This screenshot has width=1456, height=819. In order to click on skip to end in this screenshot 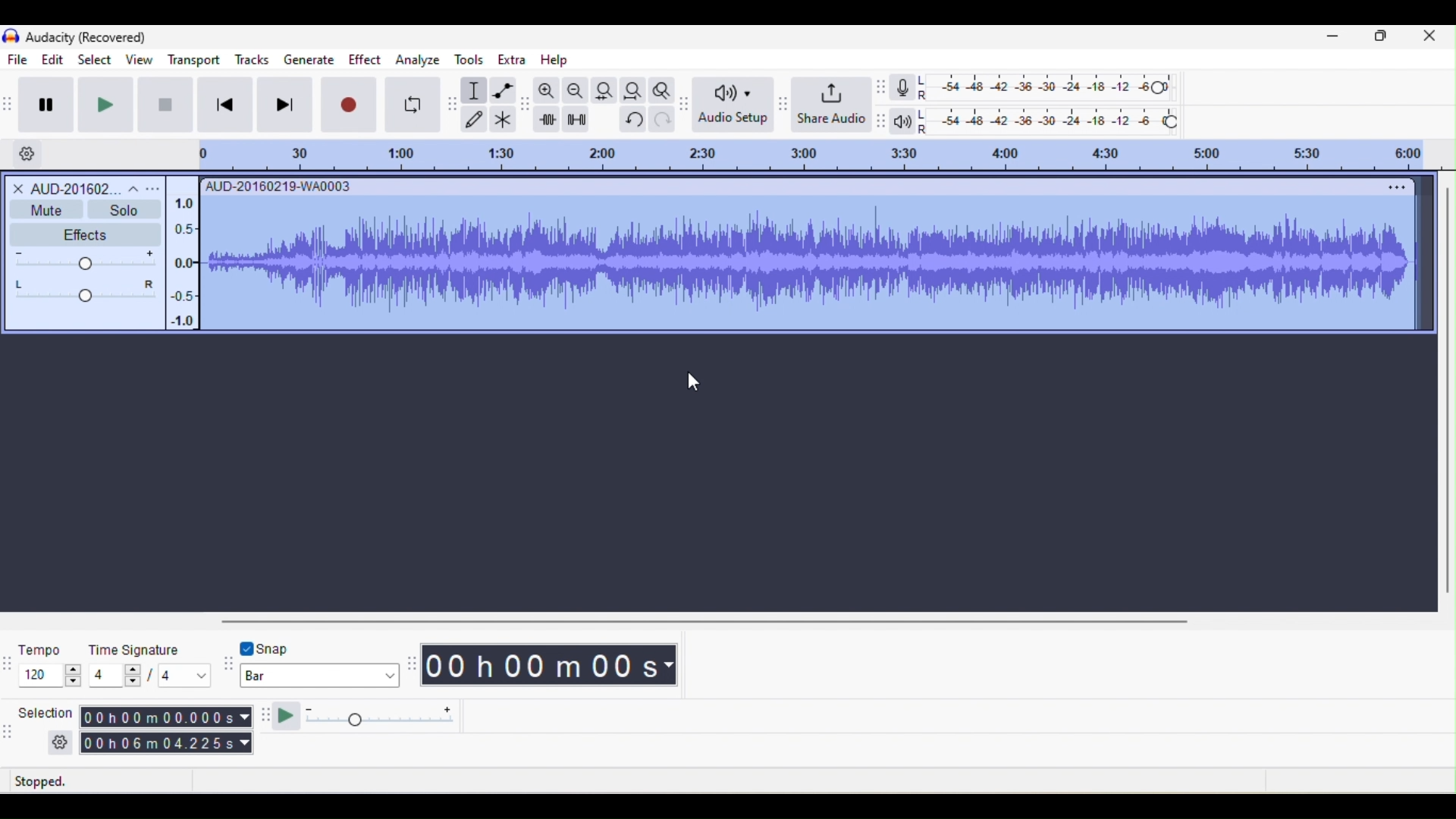, I will do `click(287, 107)`.